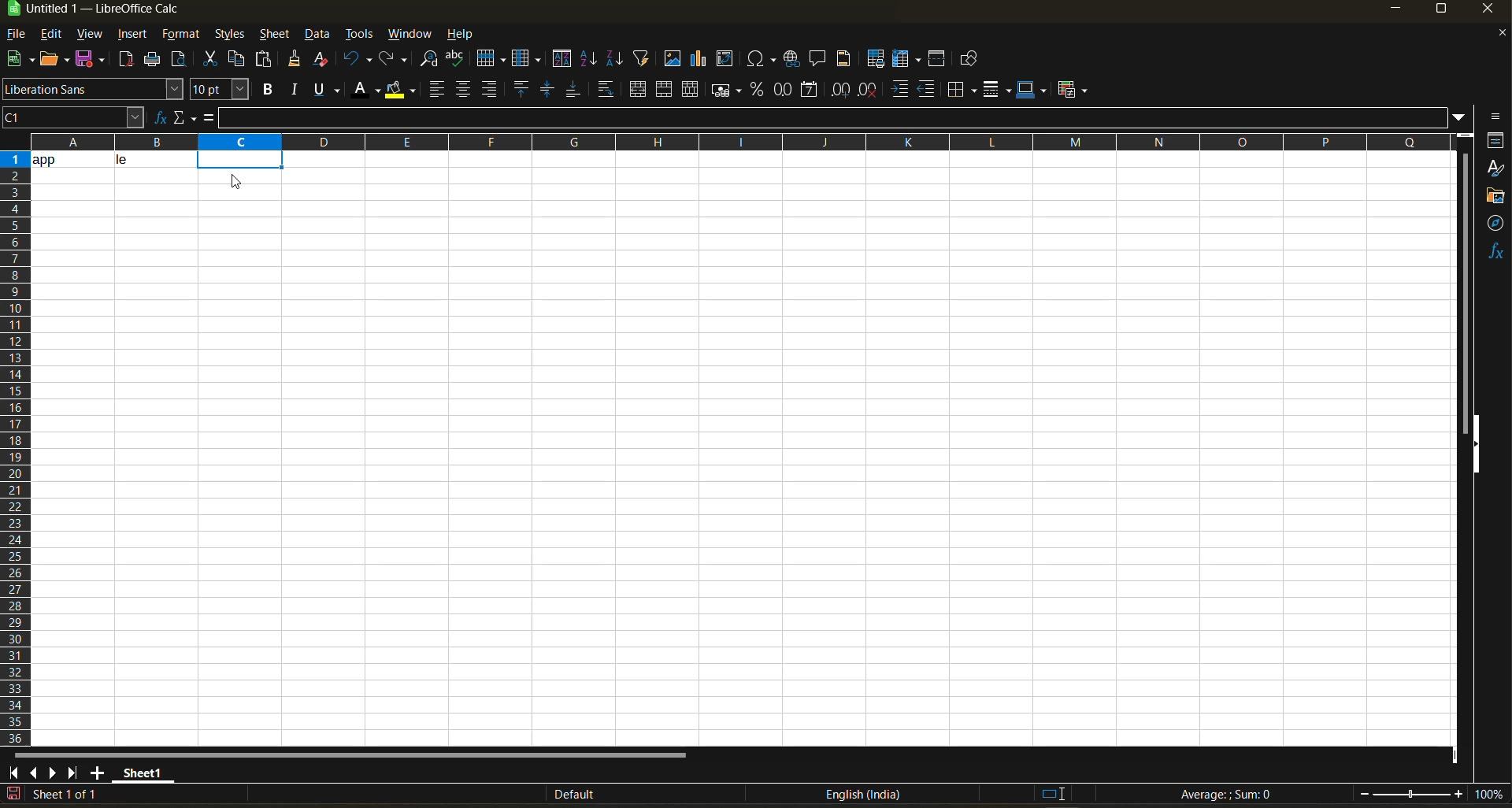  What do you see at coordinates (731, 90) in the screenshot?
I see `format as currency` at bounding box center [731, 90].